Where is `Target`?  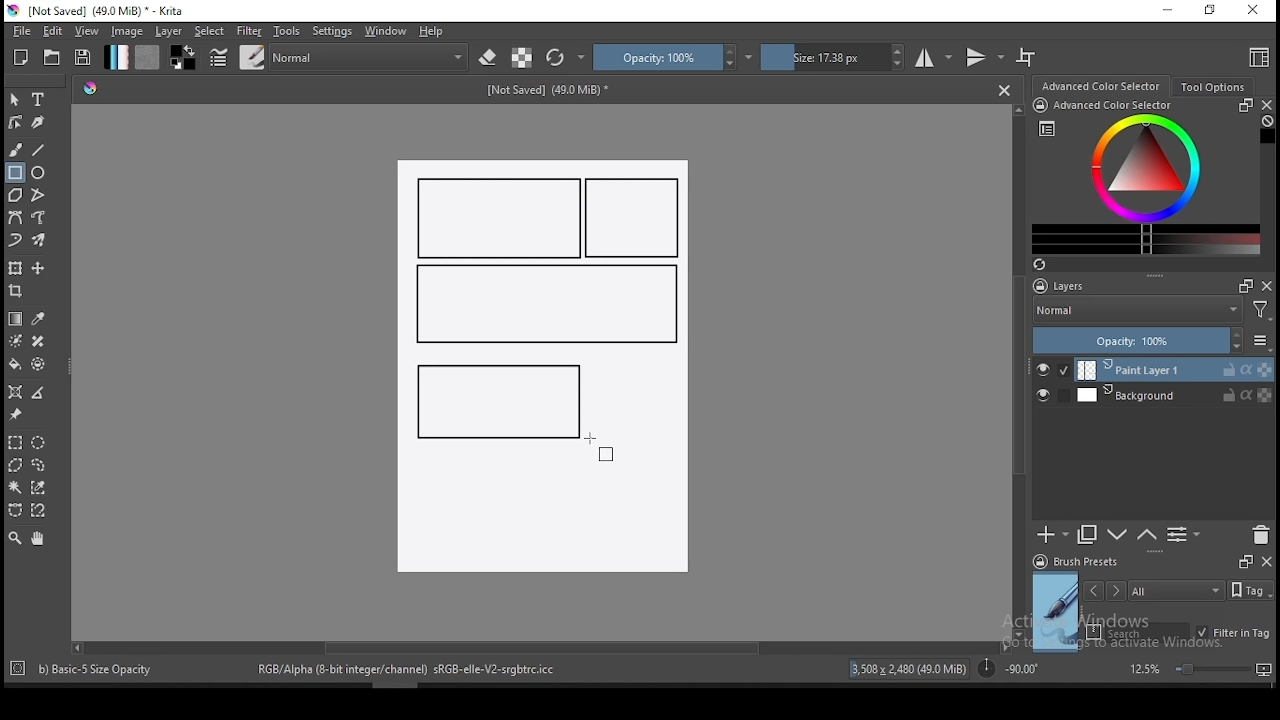
Target is located at coordinates (19, 669).